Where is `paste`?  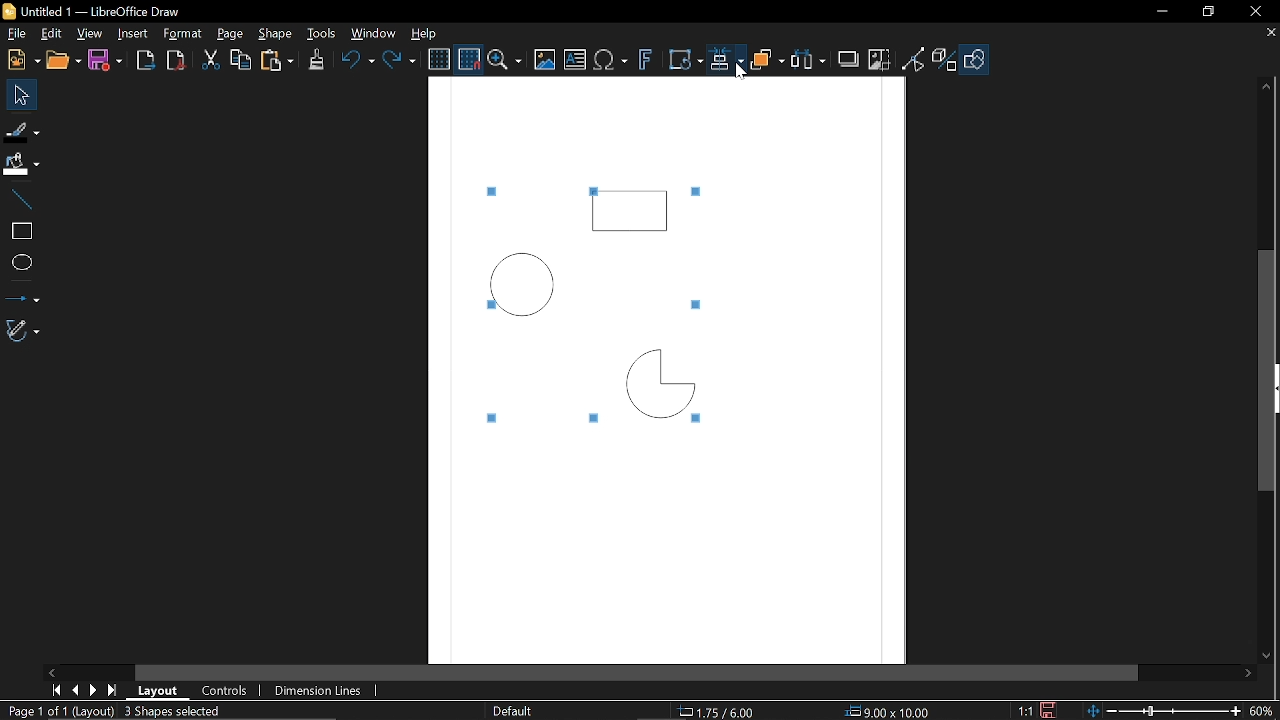
paste is located at coordinates (278, 61).